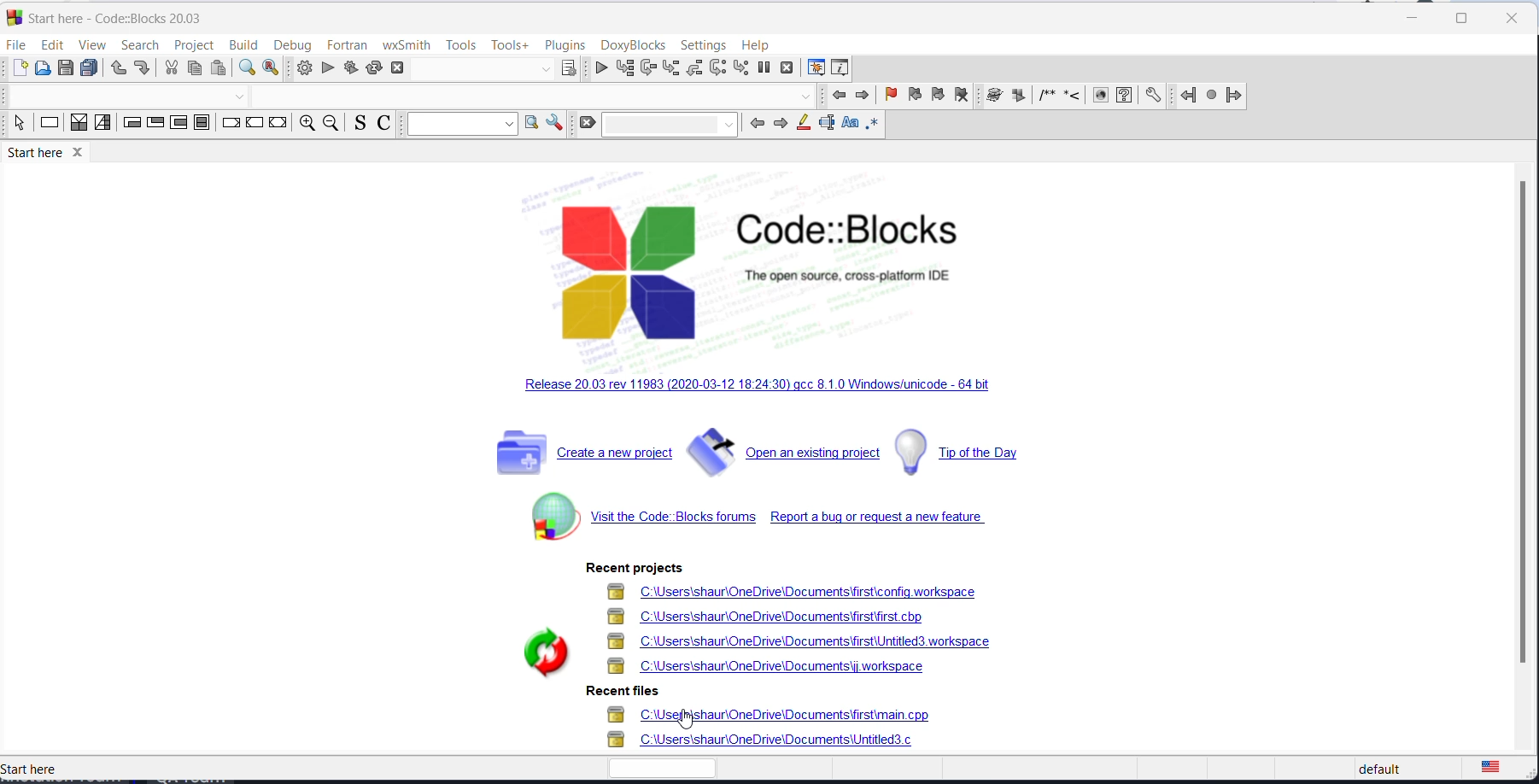 This screenshot has width=1539, height=784. Describe the element at coordinates (48, 125) in the screenshot. I see `instruction` at that location.